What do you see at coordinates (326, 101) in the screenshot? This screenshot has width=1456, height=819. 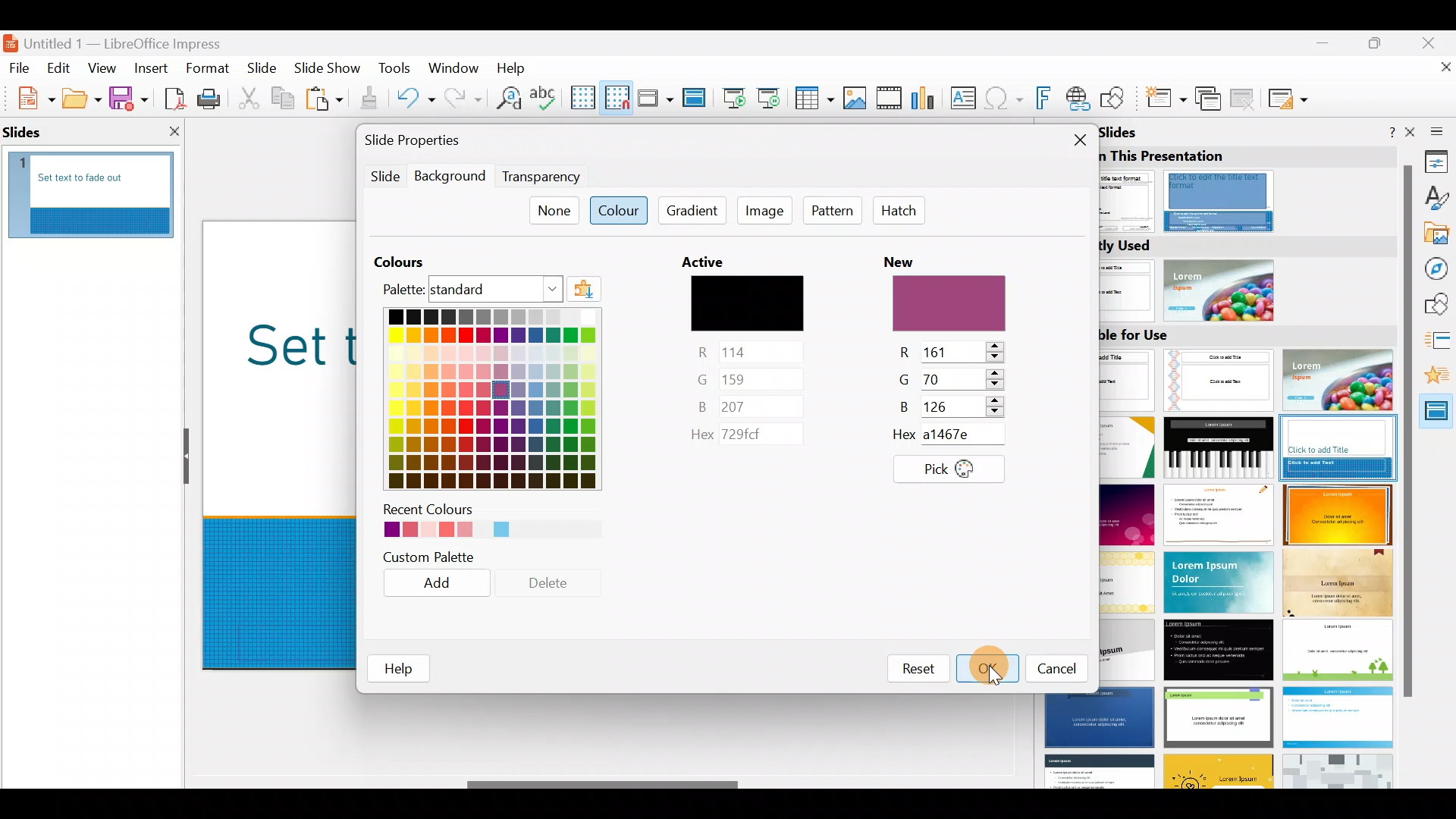 I see `Paste` at bounding box center [326, 101].